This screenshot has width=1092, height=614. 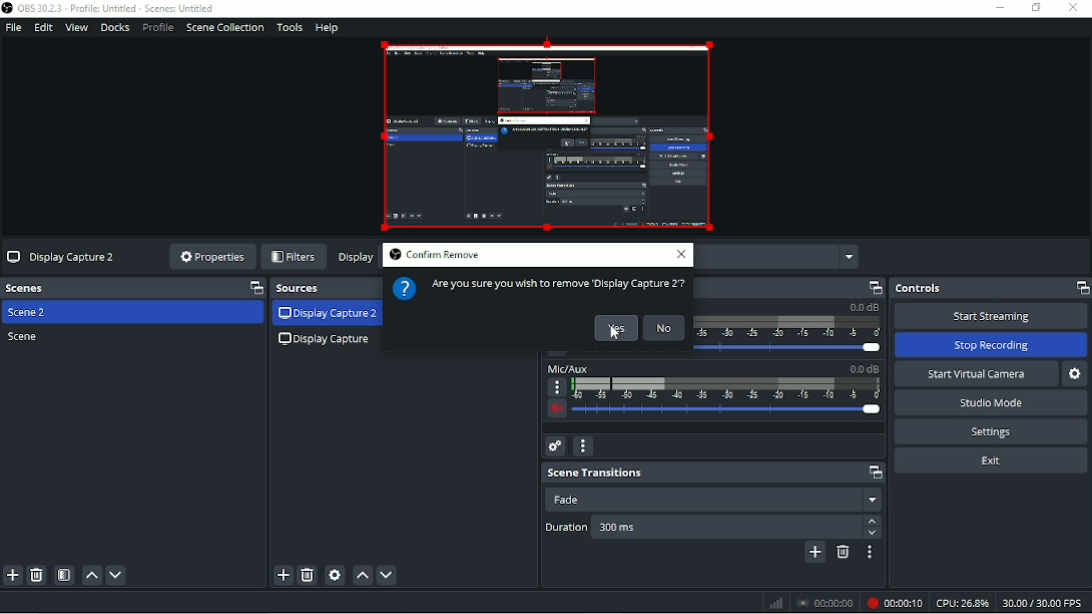 I want to click on Configure virtual camera, so click(x=1075, y=374).